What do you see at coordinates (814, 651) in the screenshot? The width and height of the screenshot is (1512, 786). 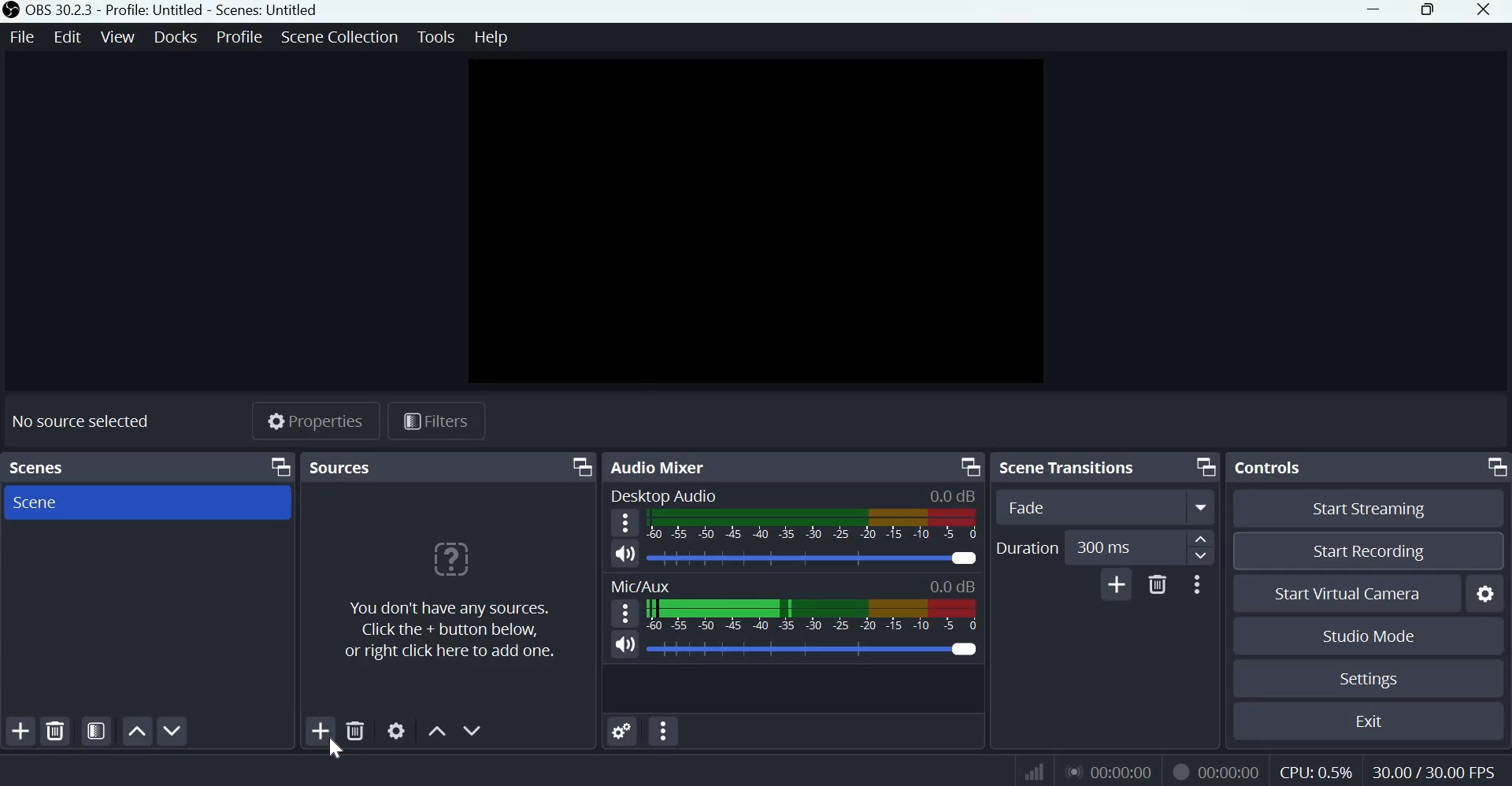 I see `Audio Slider` at bounding box center [814, 651].